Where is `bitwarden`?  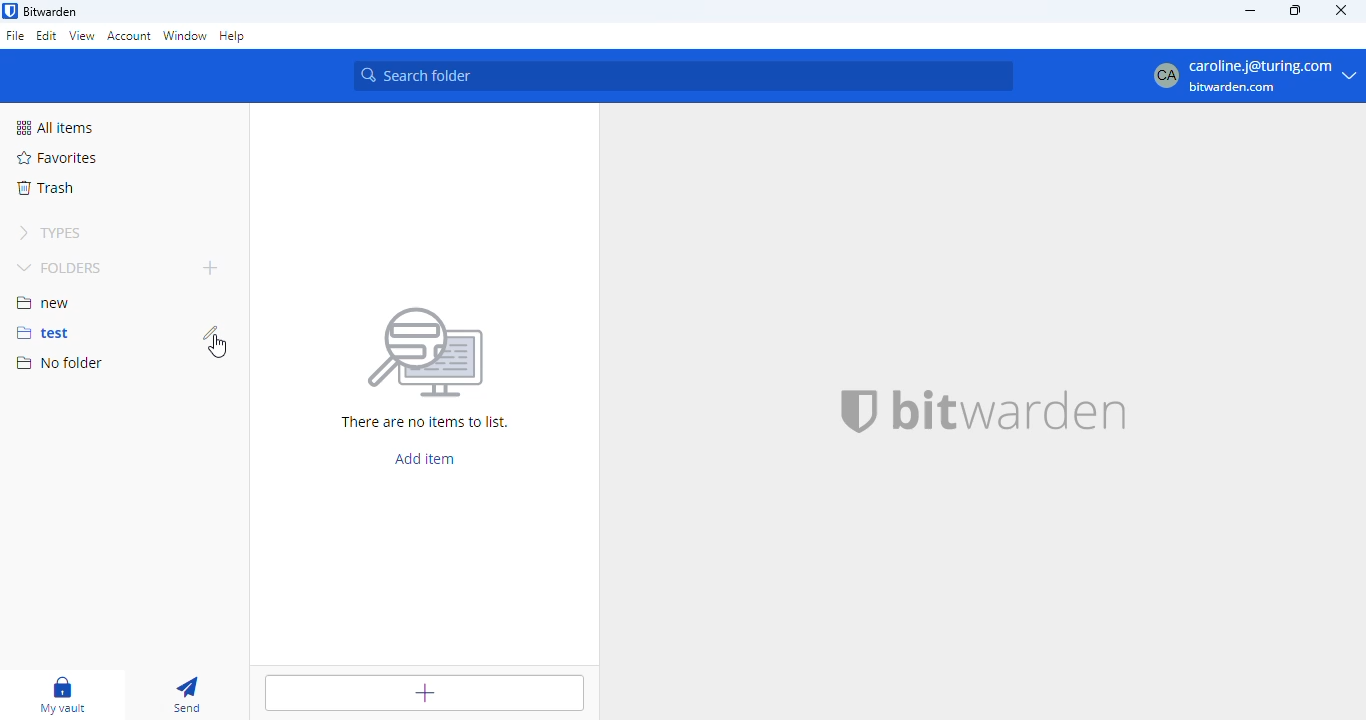 bitwarden is located at coordinates (50, 12).